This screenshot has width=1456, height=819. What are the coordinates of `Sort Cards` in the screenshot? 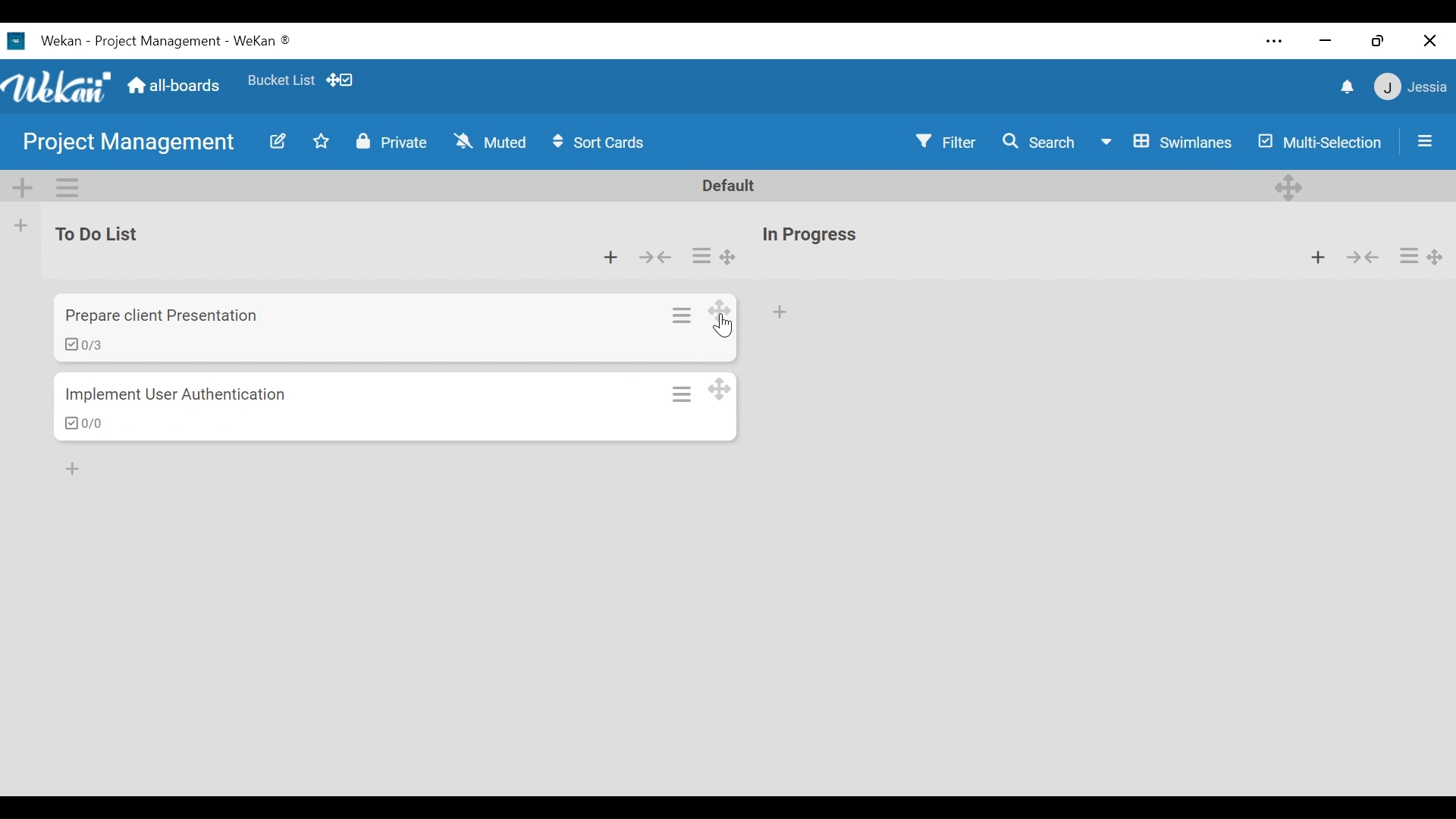 It's located at (601, 142).